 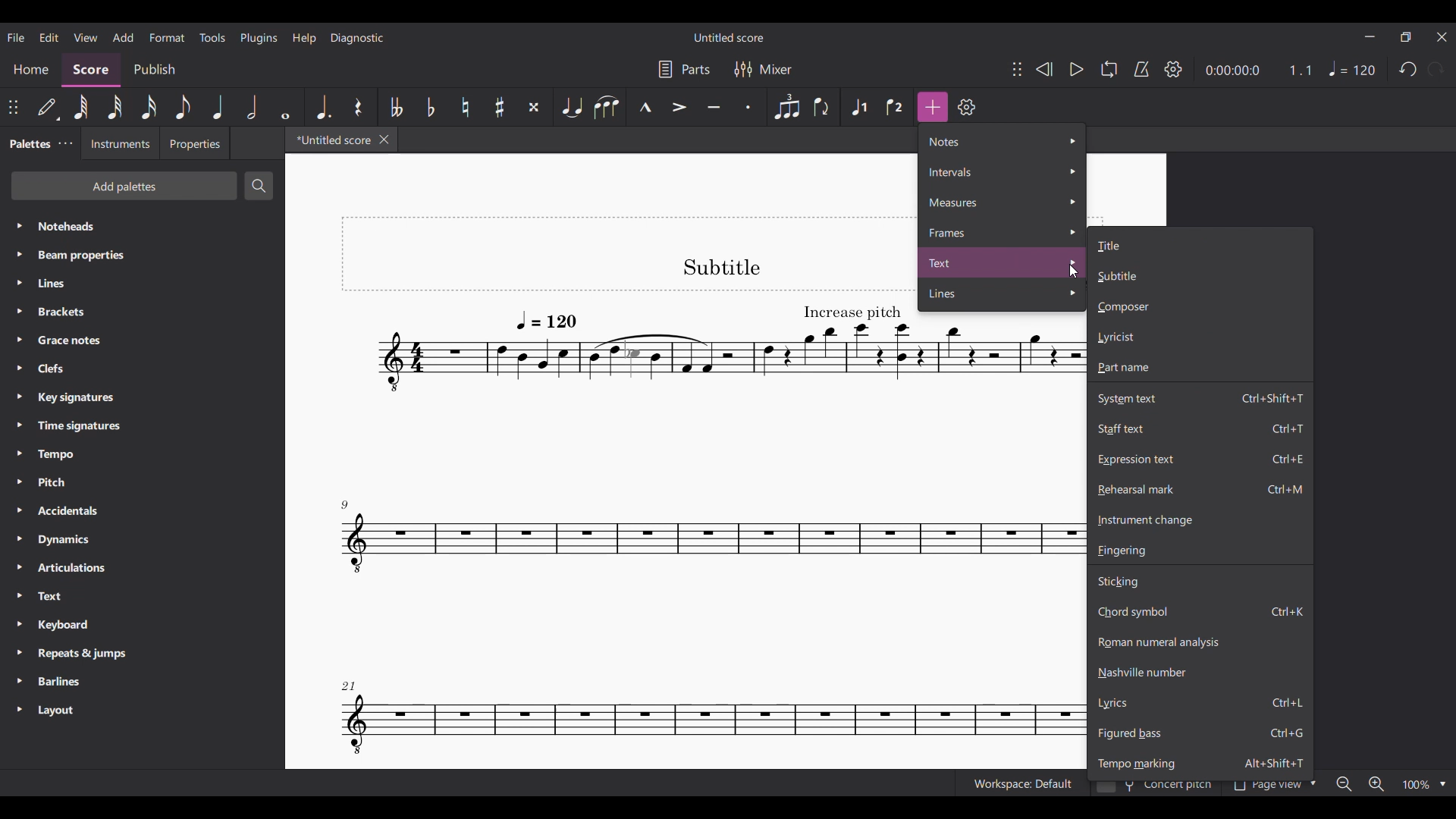 What do you see at coordinates (1200, 580) in the screenshot?
I see `Sticking` at bounding box center [1200, 580].